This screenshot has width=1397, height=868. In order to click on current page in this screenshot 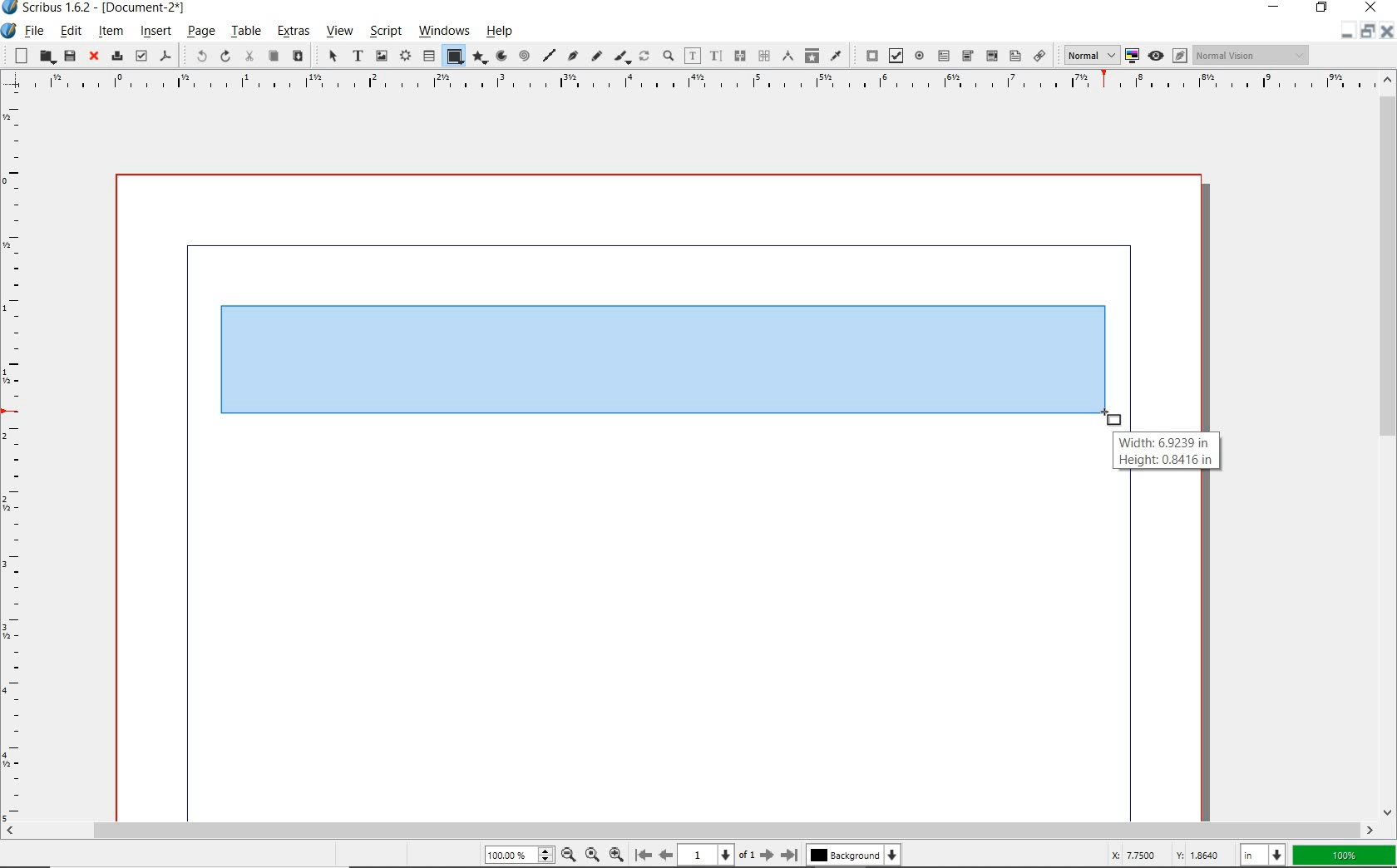, I will do `click(717, 855)`.